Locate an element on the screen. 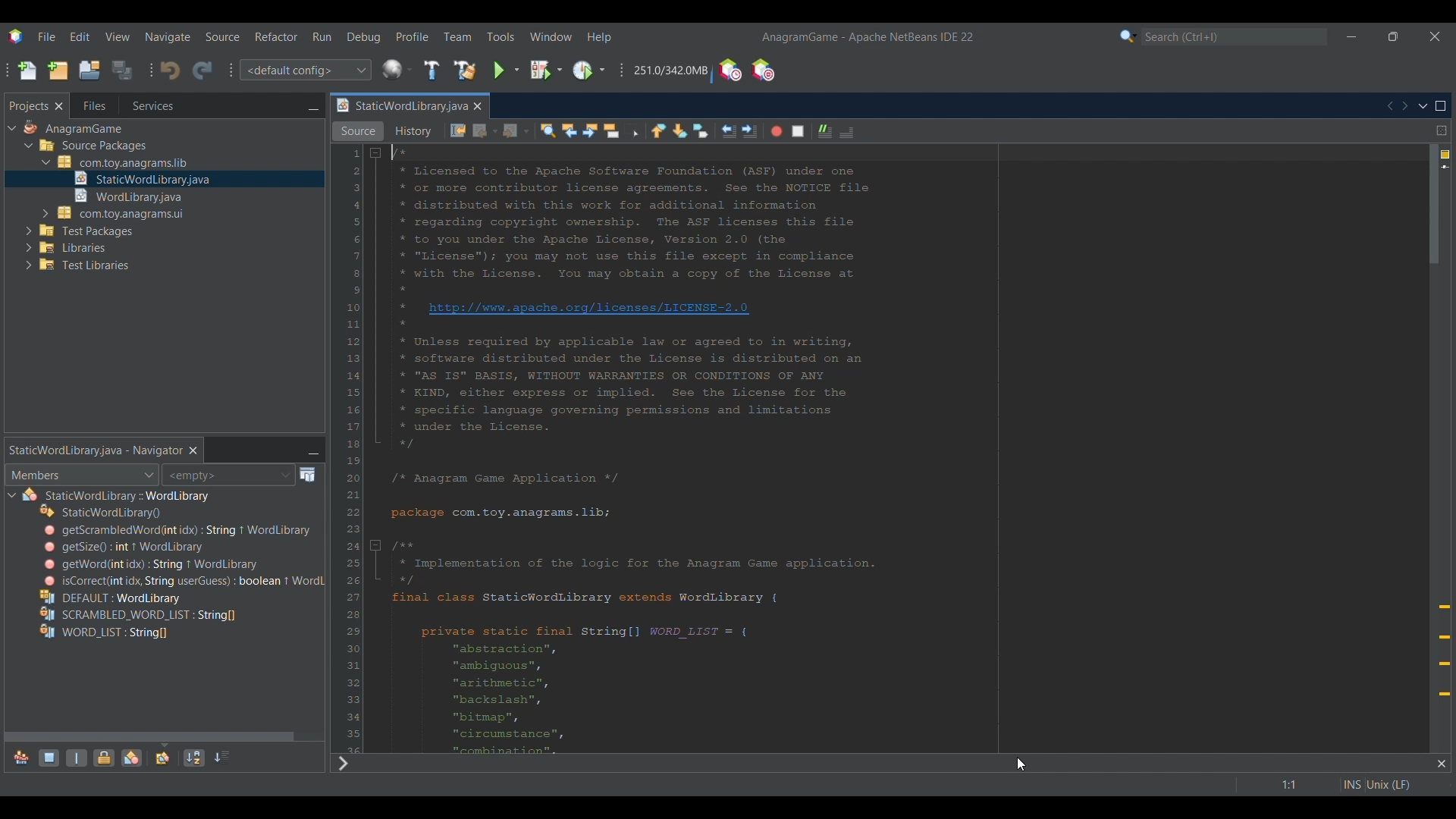 The width and height of the screenshot is (1456, 819). History vie is located at coordinates (414, 131).